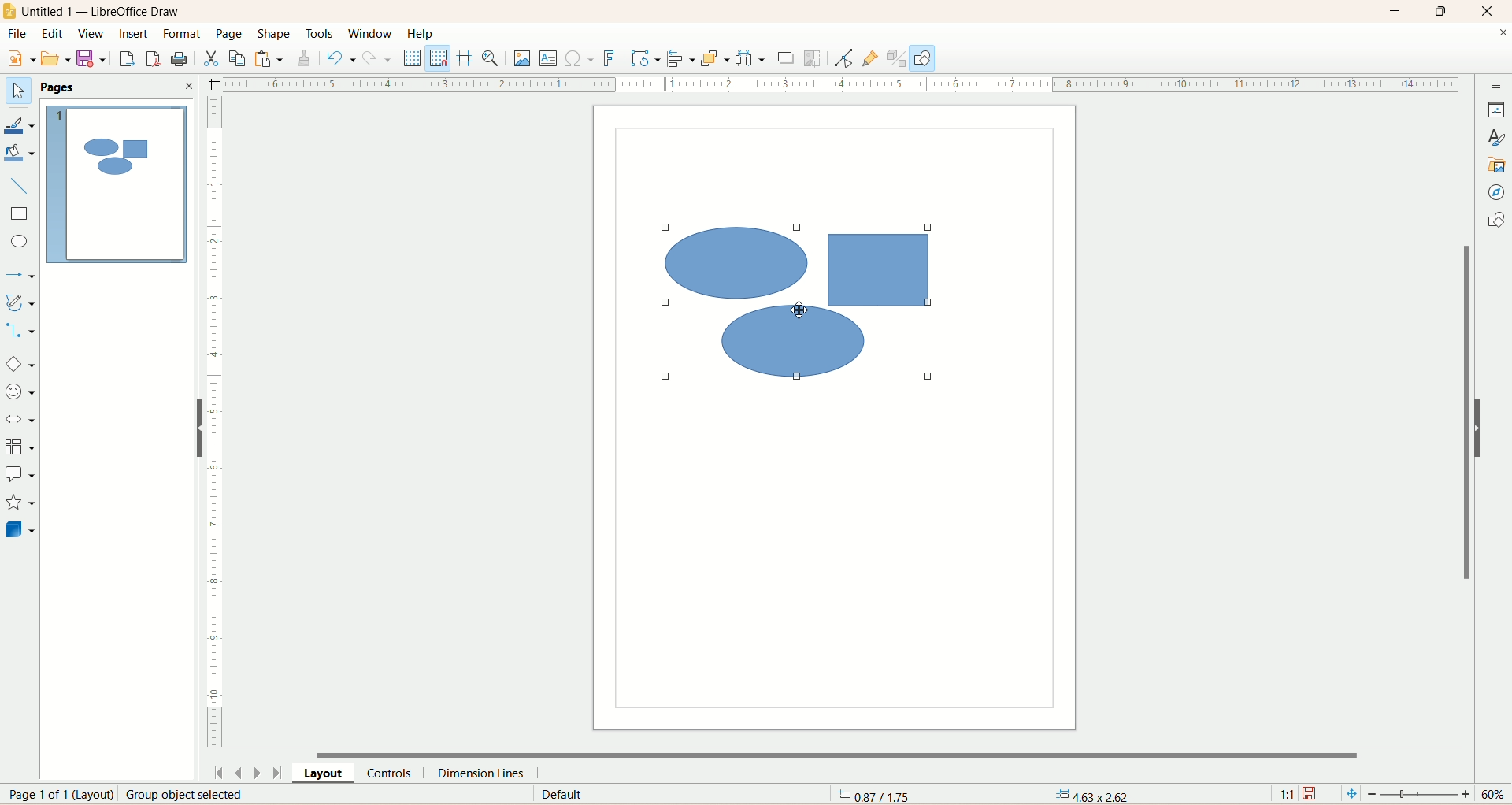 Image resolution: width=1512 pixels, height=805 pixels. I want to click on fill color, so click(22, 154).